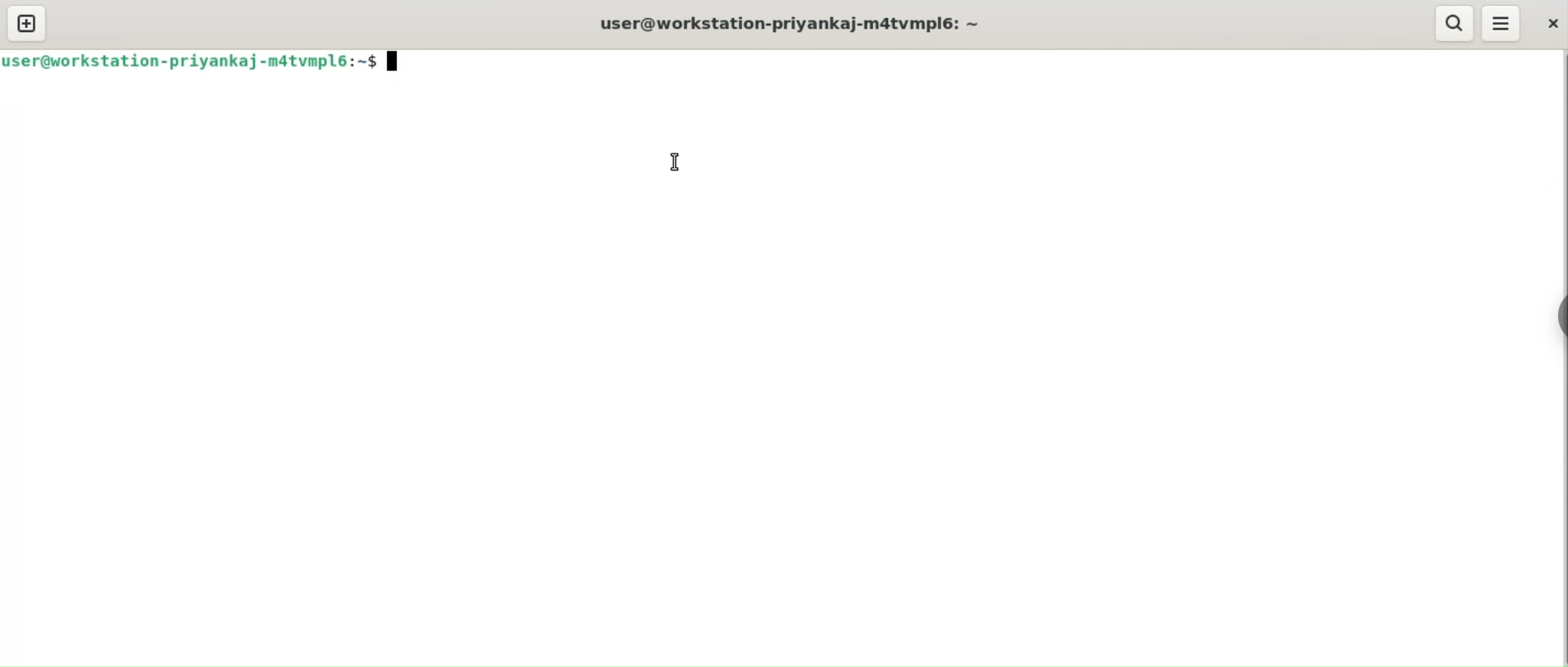 The width and height of the screenshot is (1568, 667). I want to click on close, so click(1551, 24).